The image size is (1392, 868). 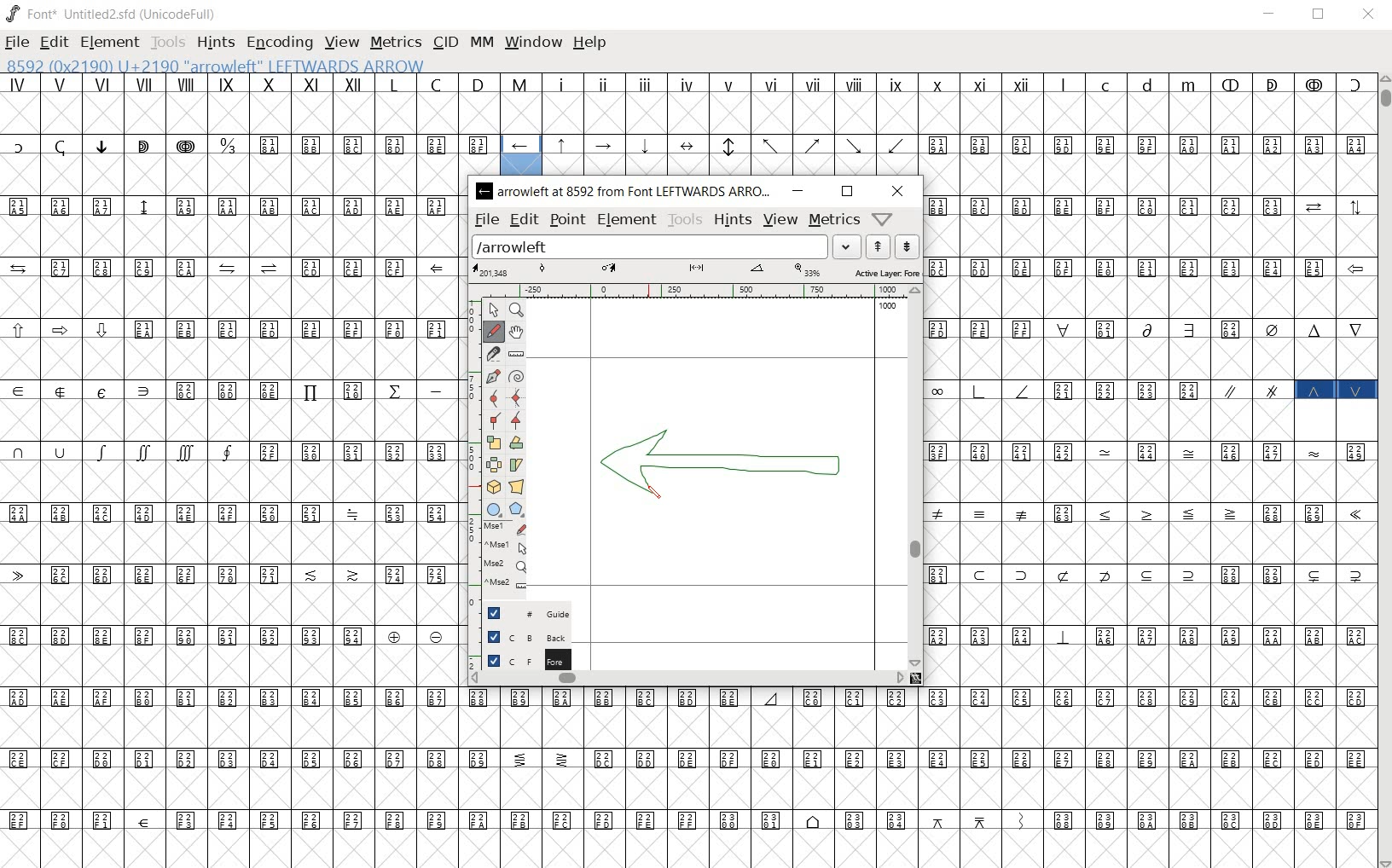 I want to click on scrollbar, so click(x=915, y=477).